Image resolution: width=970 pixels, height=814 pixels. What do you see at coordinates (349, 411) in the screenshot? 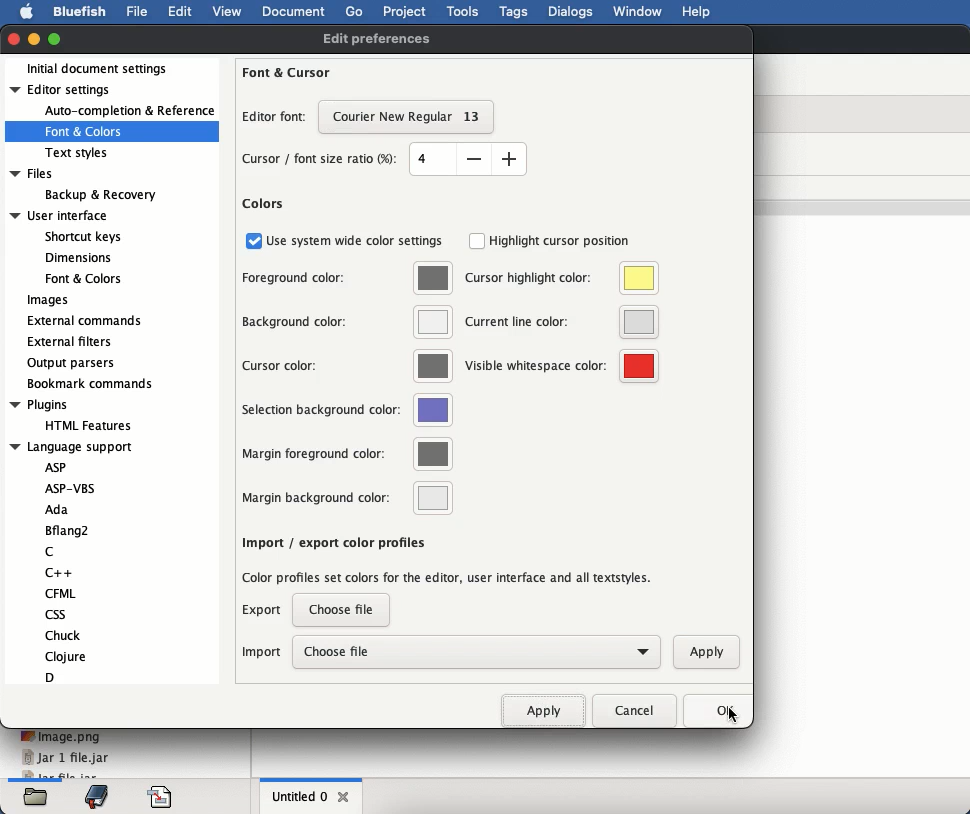
I see `selection background color` at bounding box center [349, 411].